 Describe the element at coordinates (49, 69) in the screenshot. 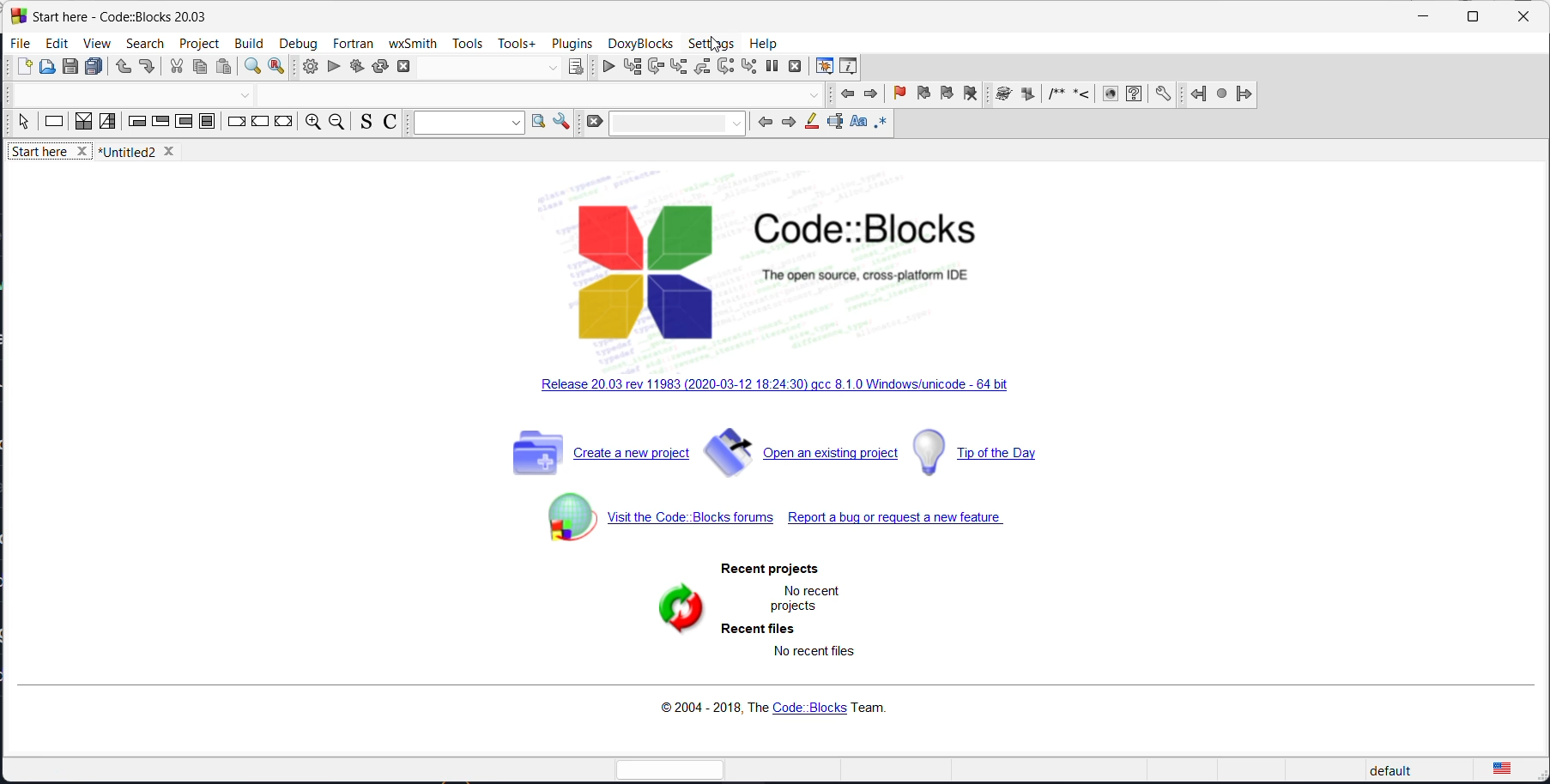

I see `open` at that location.